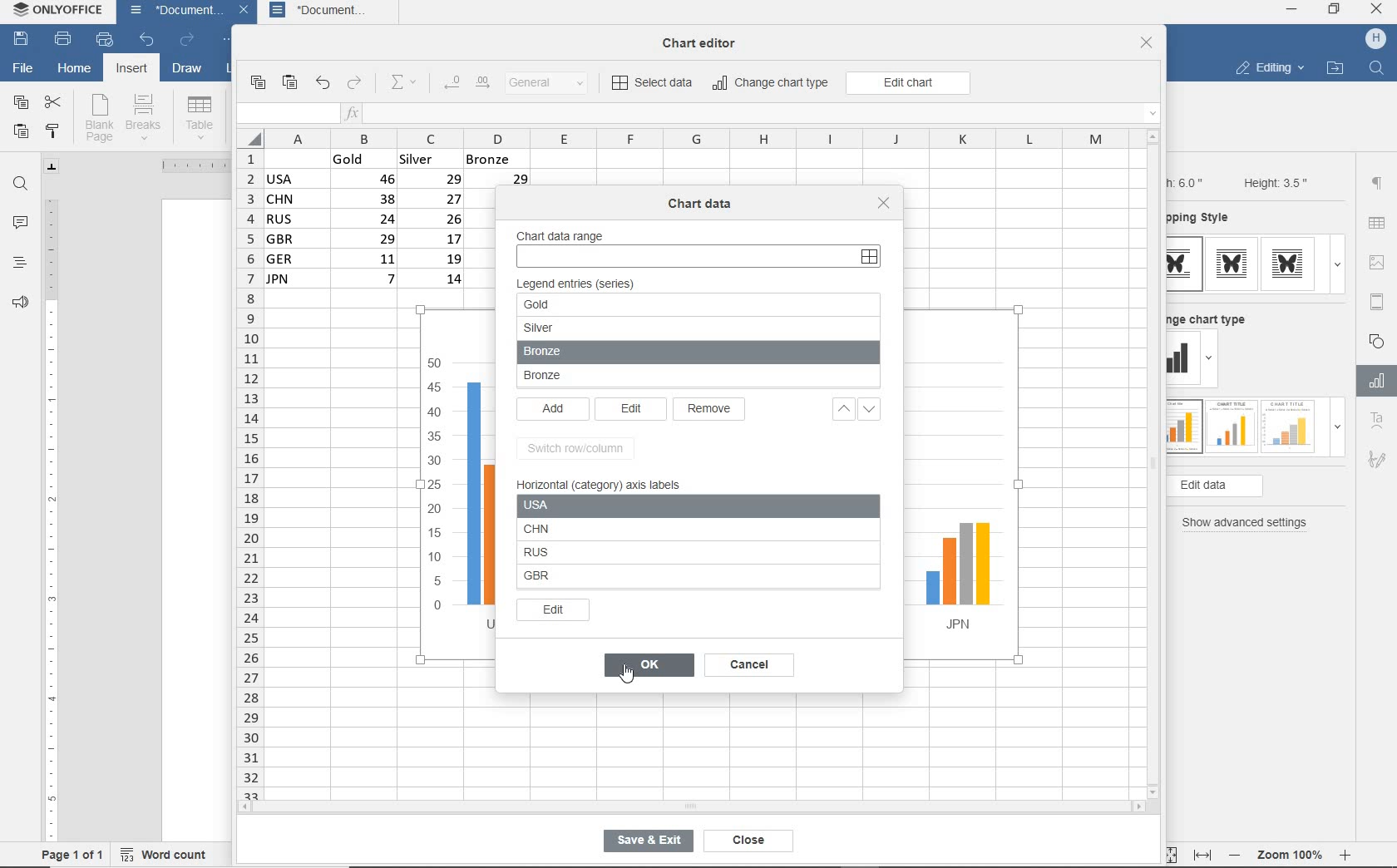 This screenshot has width=1397, height=868. What do you see at coordinates (1380, 262) in the screenshot?
I see `image` at bounding box center [1380, 262].